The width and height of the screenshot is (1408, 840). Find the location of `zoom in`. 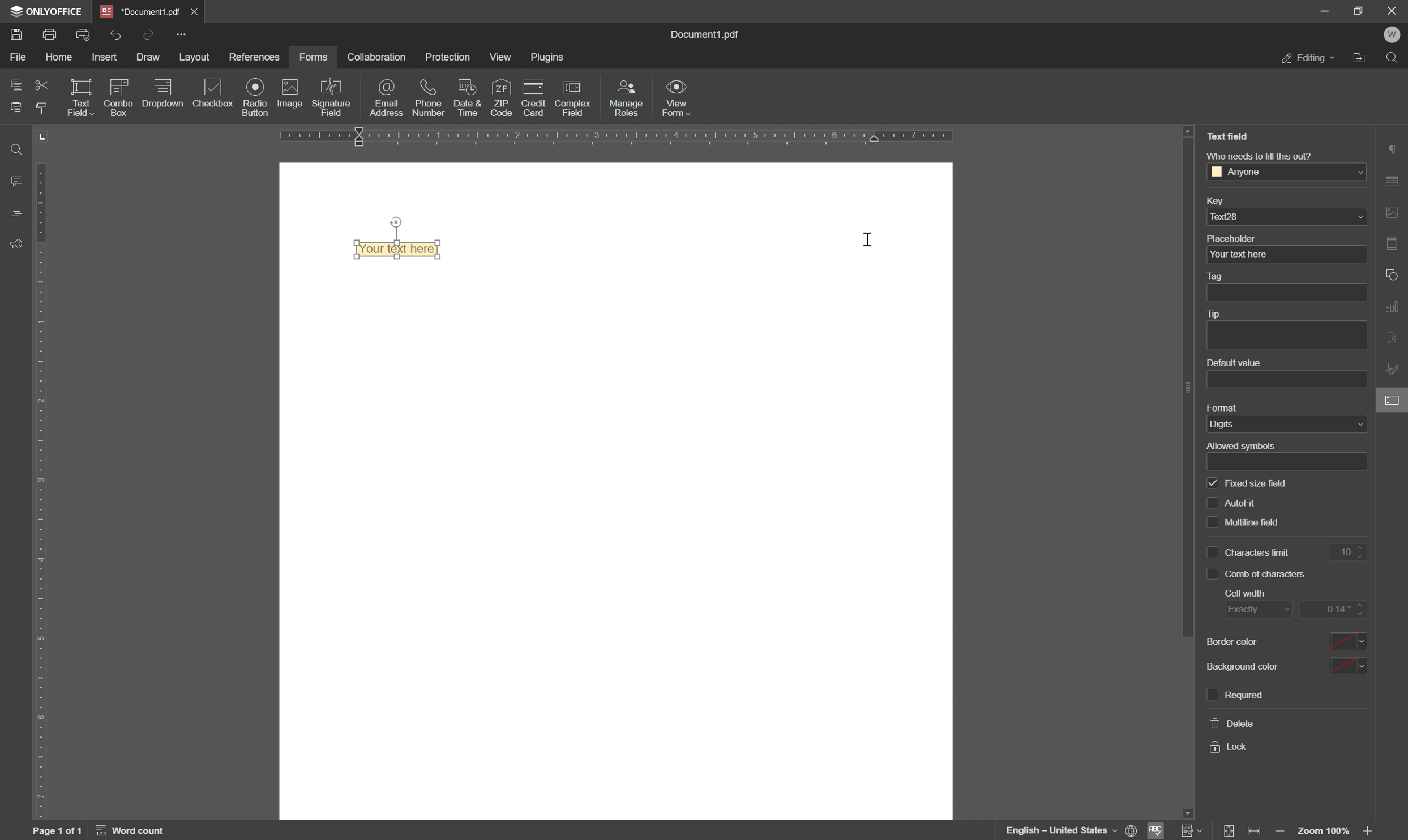

zoom in is located at coordinates (1283, 832).